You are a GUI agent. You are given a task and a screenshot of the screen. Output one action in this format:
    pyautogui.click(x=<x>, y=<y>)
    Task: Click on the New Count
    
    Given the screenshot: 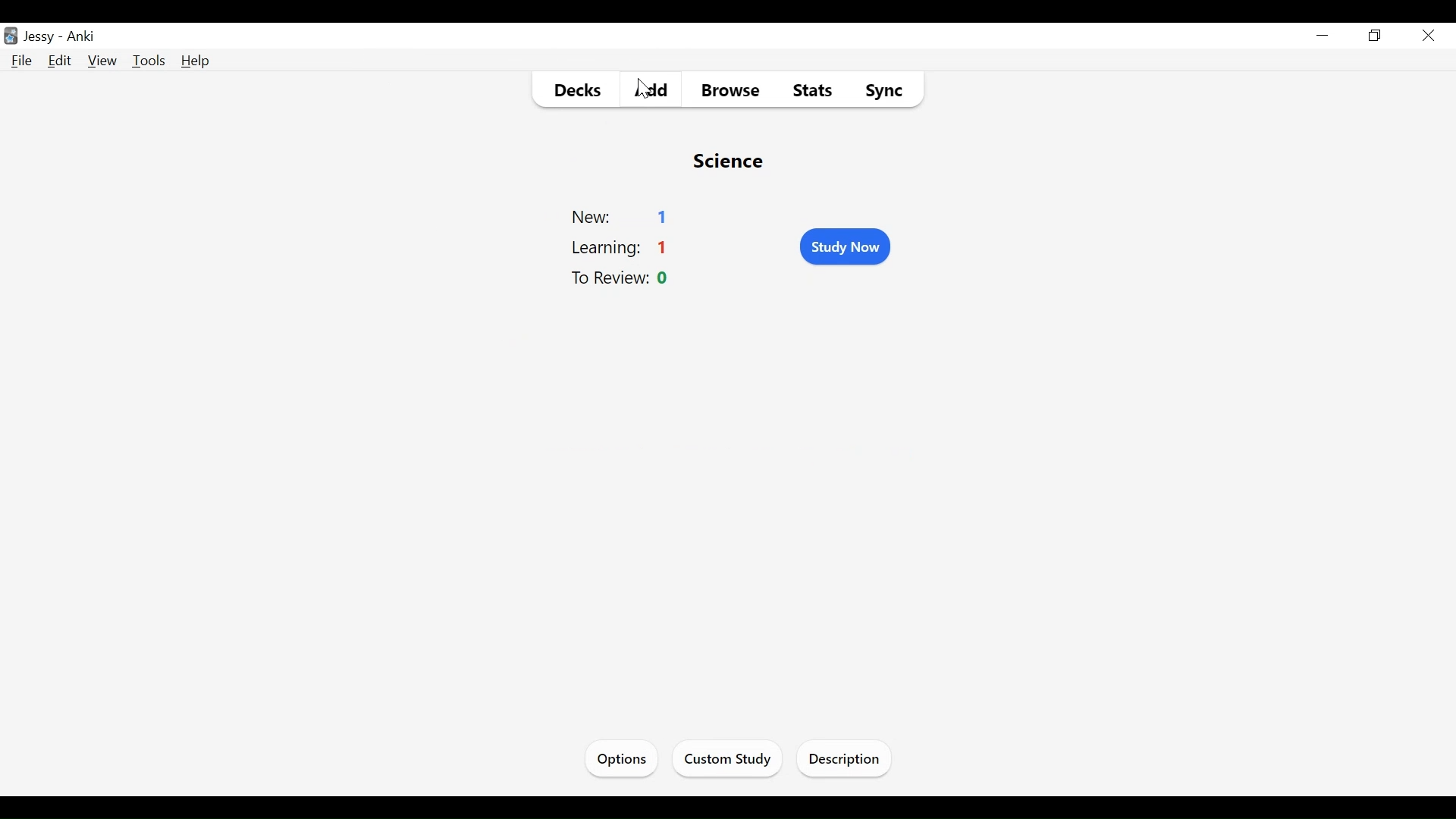 What is the action you would take?
    pyautogui.click(x=624, y=217)
    